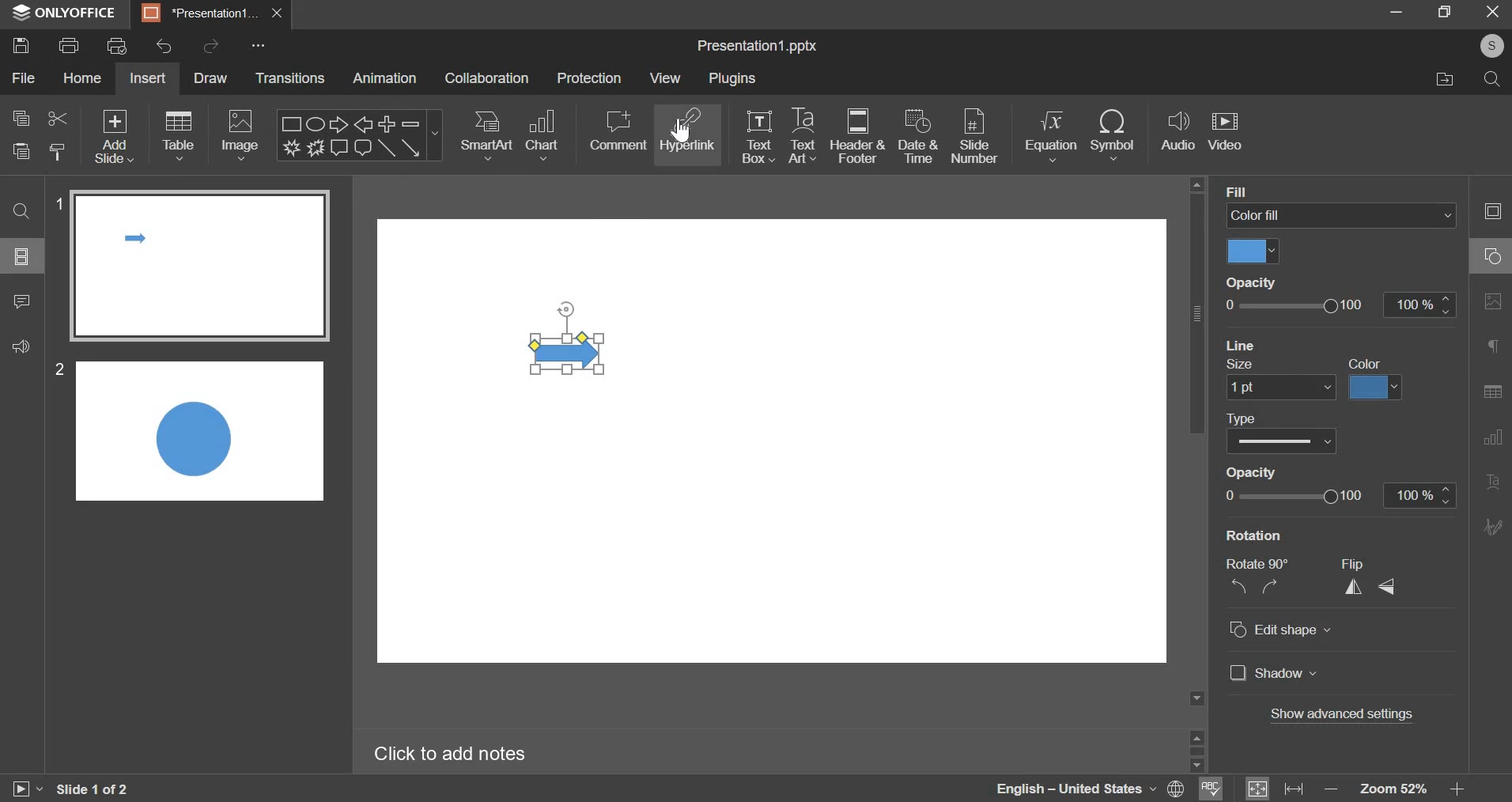 The image size is (1512, 802). What do you see at coordinates (487, 78) in the screenshot?
I see `collaboration` at bounding box center [487, 78].